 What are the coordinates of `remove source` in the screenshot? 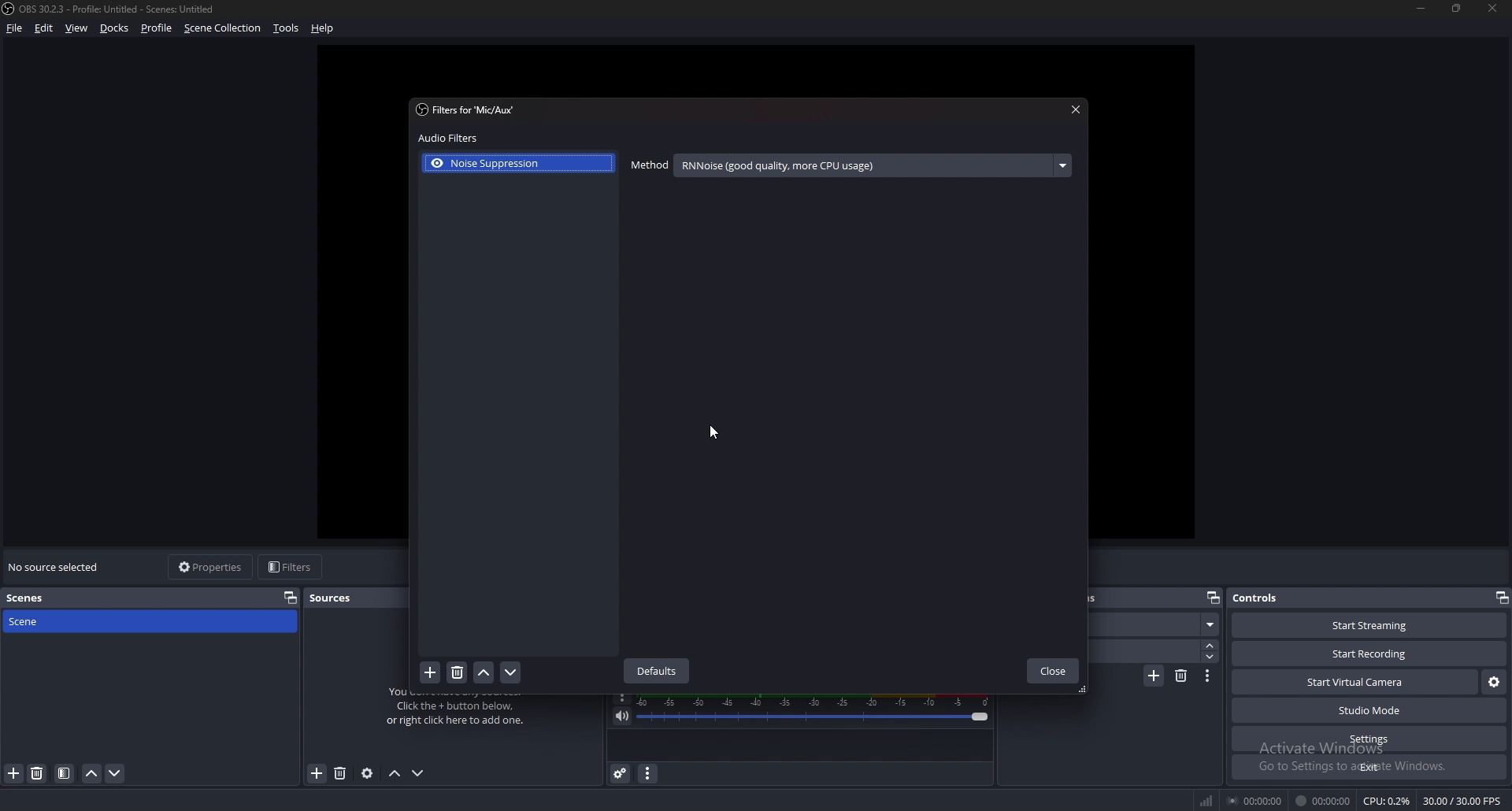 It's located at (317, 773).